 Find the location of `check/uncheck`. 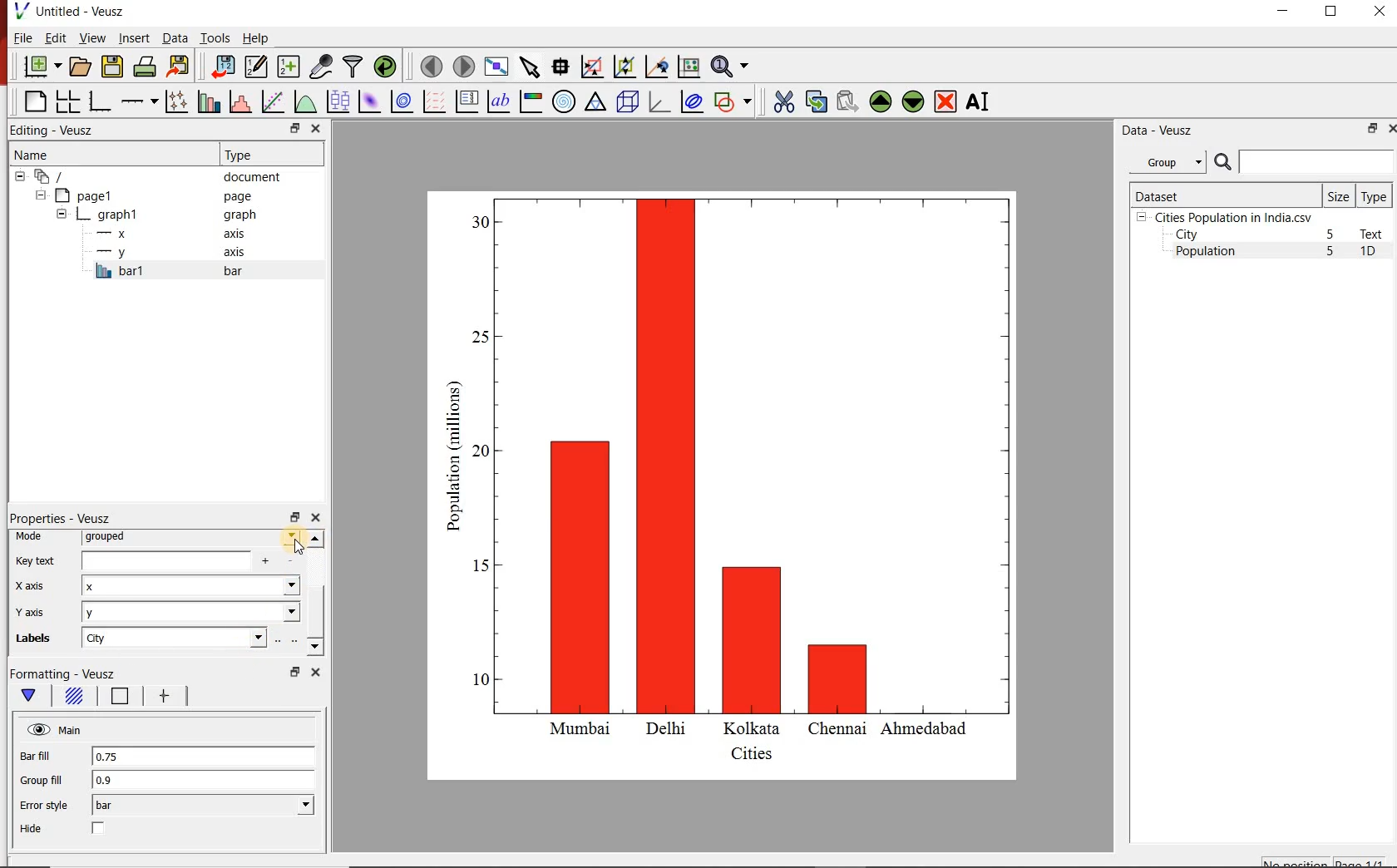

check/uncheck is located at coordinates (99, 830).